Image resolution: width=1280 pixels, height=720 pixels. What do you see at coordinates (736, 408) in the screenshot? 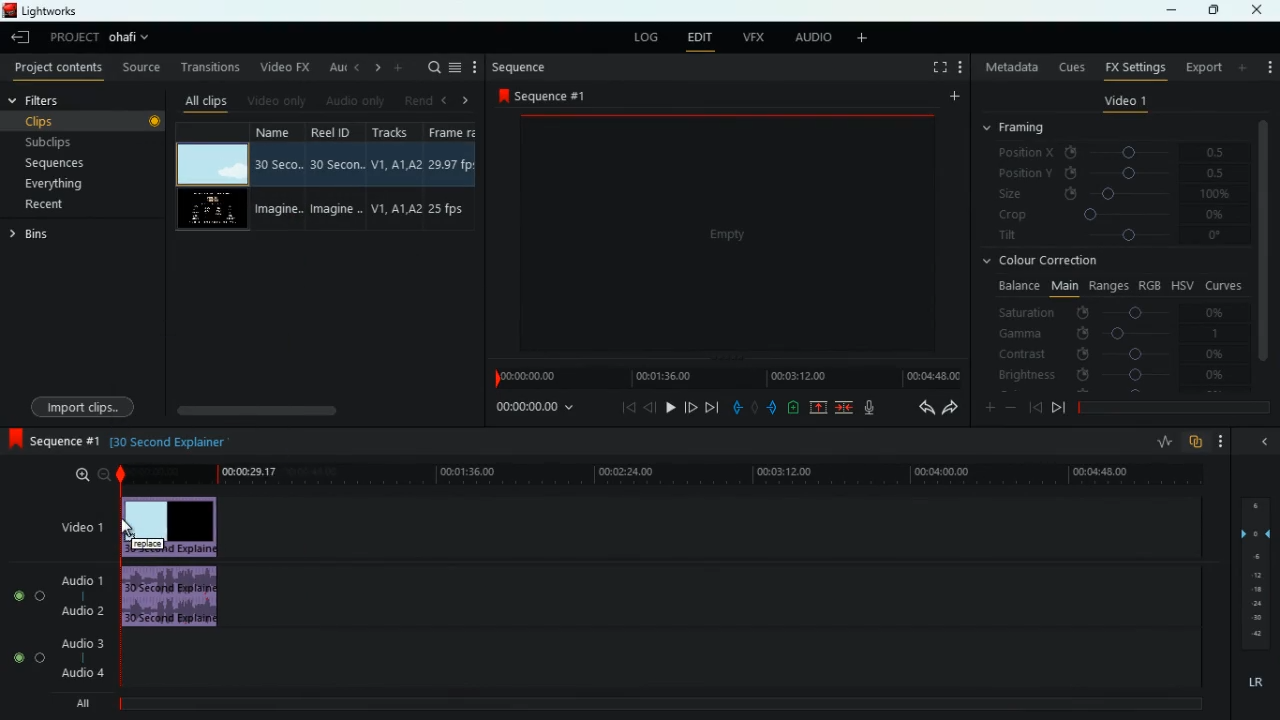
I see `pull` at bounding box center [736, 408].